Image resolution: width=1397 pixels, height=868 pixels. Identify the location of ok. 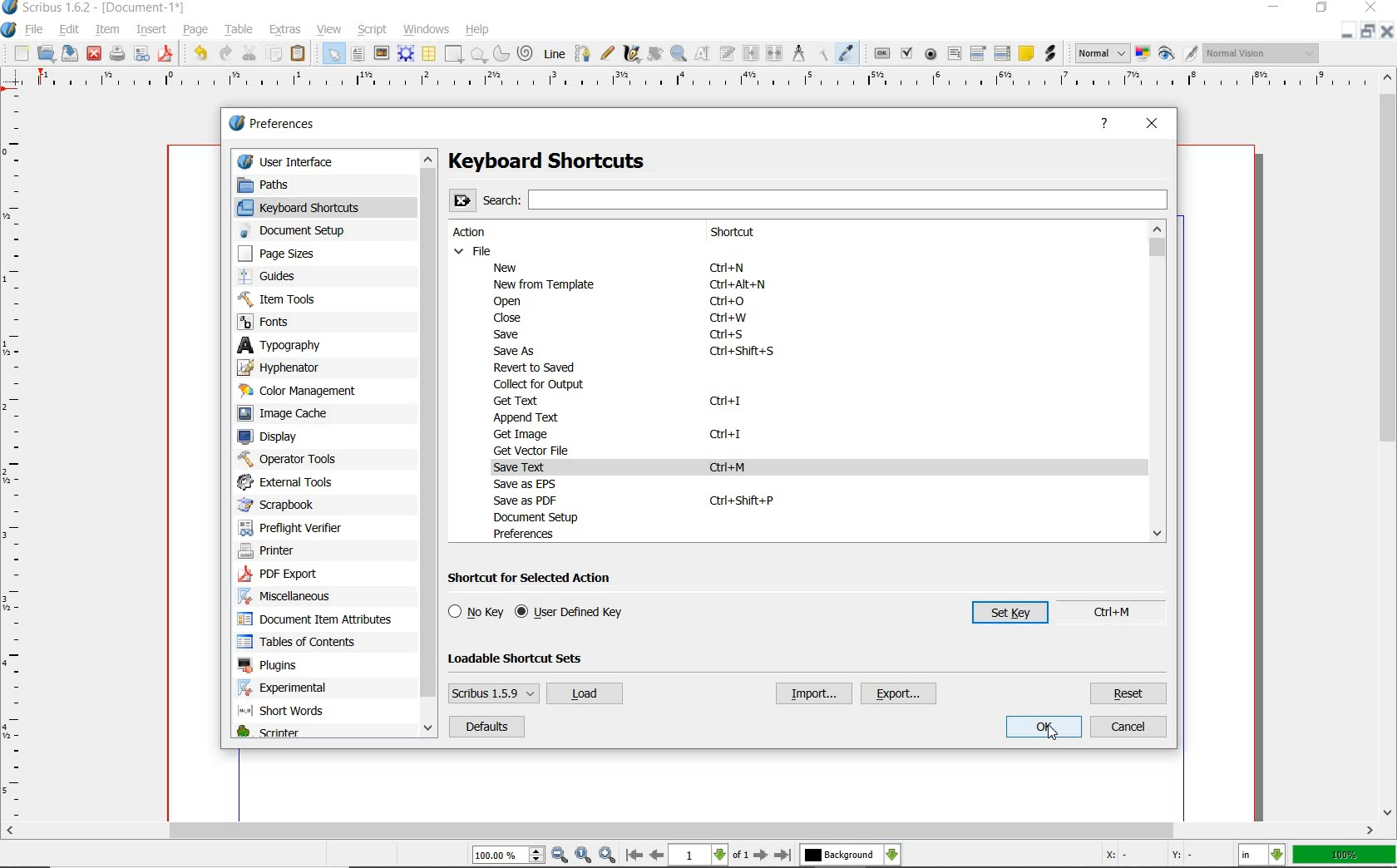
(1045, 727).